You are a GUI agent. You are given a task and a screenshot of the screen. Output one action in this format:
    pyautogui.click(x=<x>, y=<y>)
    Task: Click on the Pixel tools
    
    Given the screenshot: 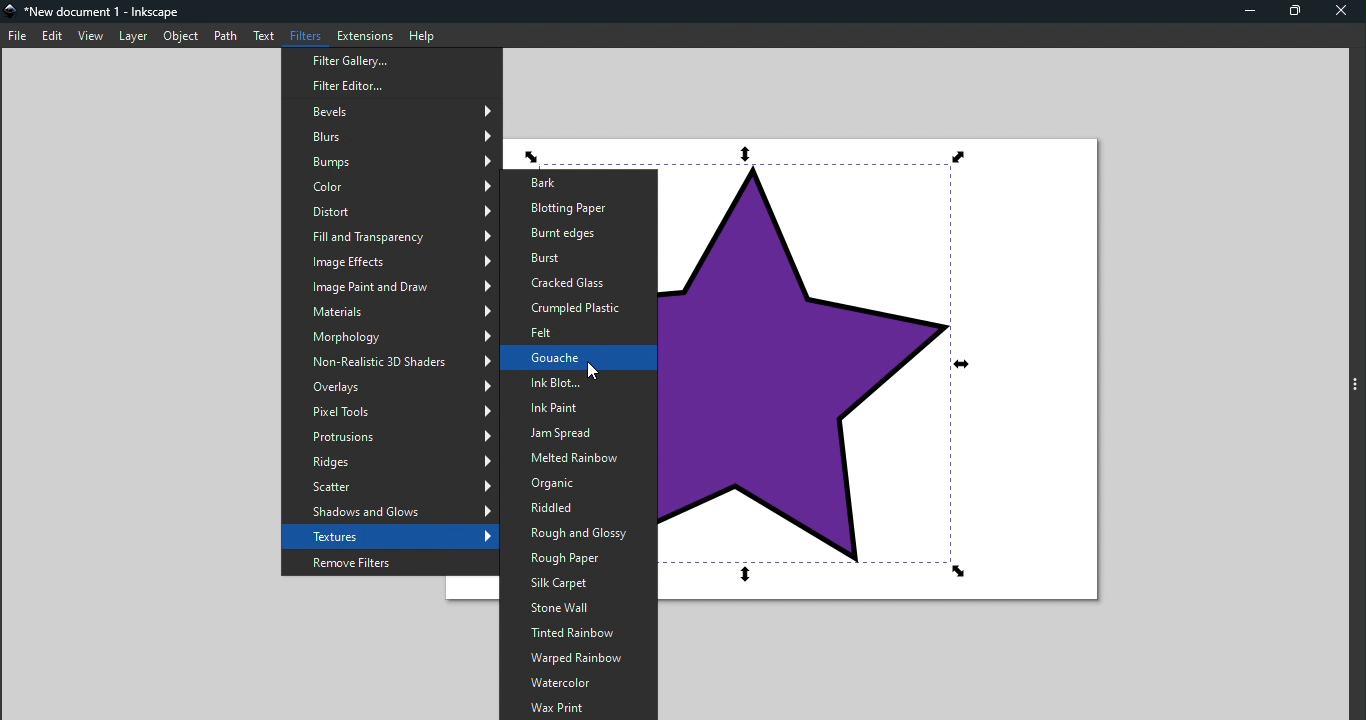 What is the action you would take?
    pyautogui.click(x=392, y=412)
    